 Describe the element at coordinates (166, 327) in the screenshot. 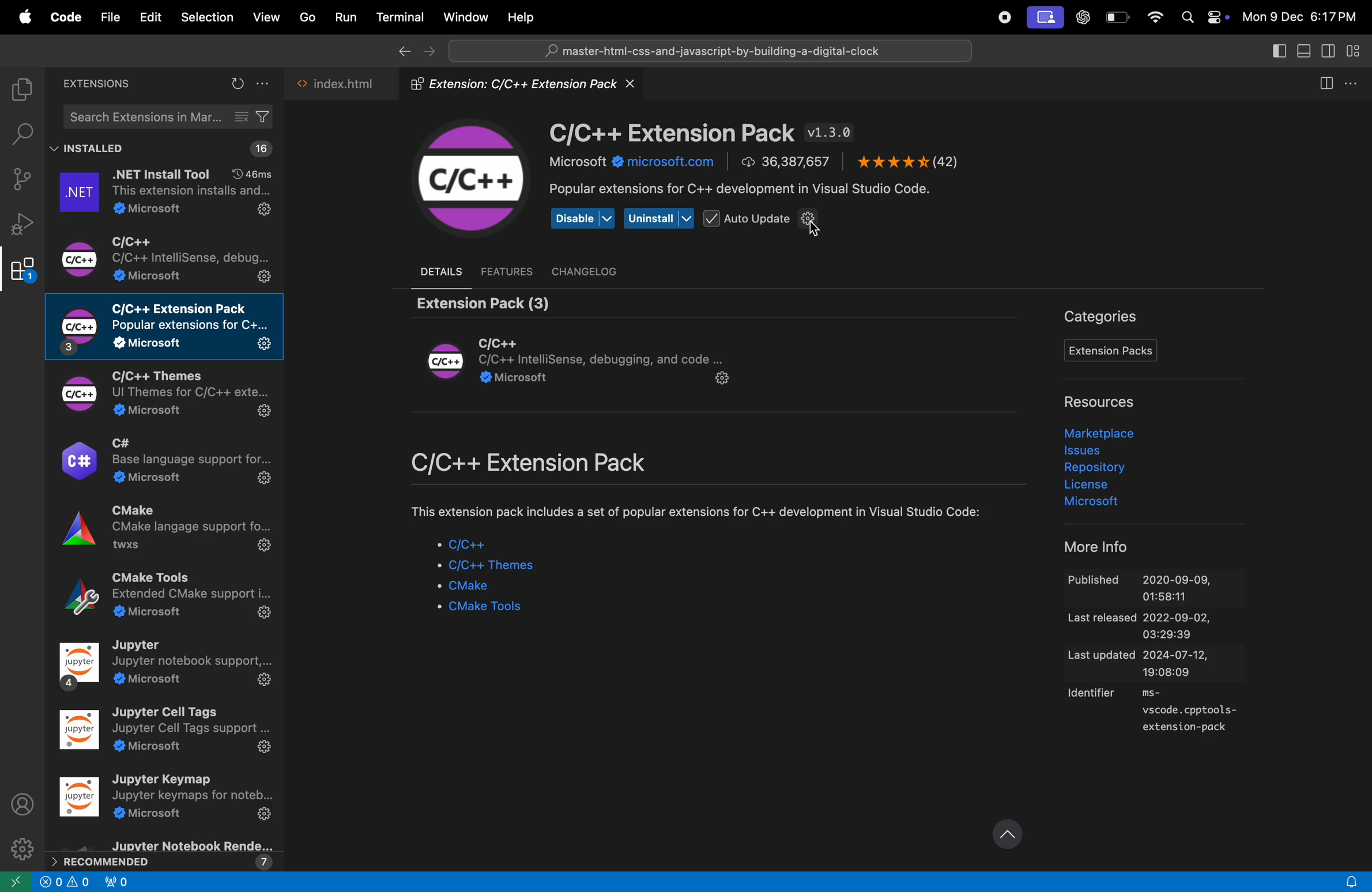

I see `c/C++ extensions pack` at that location.